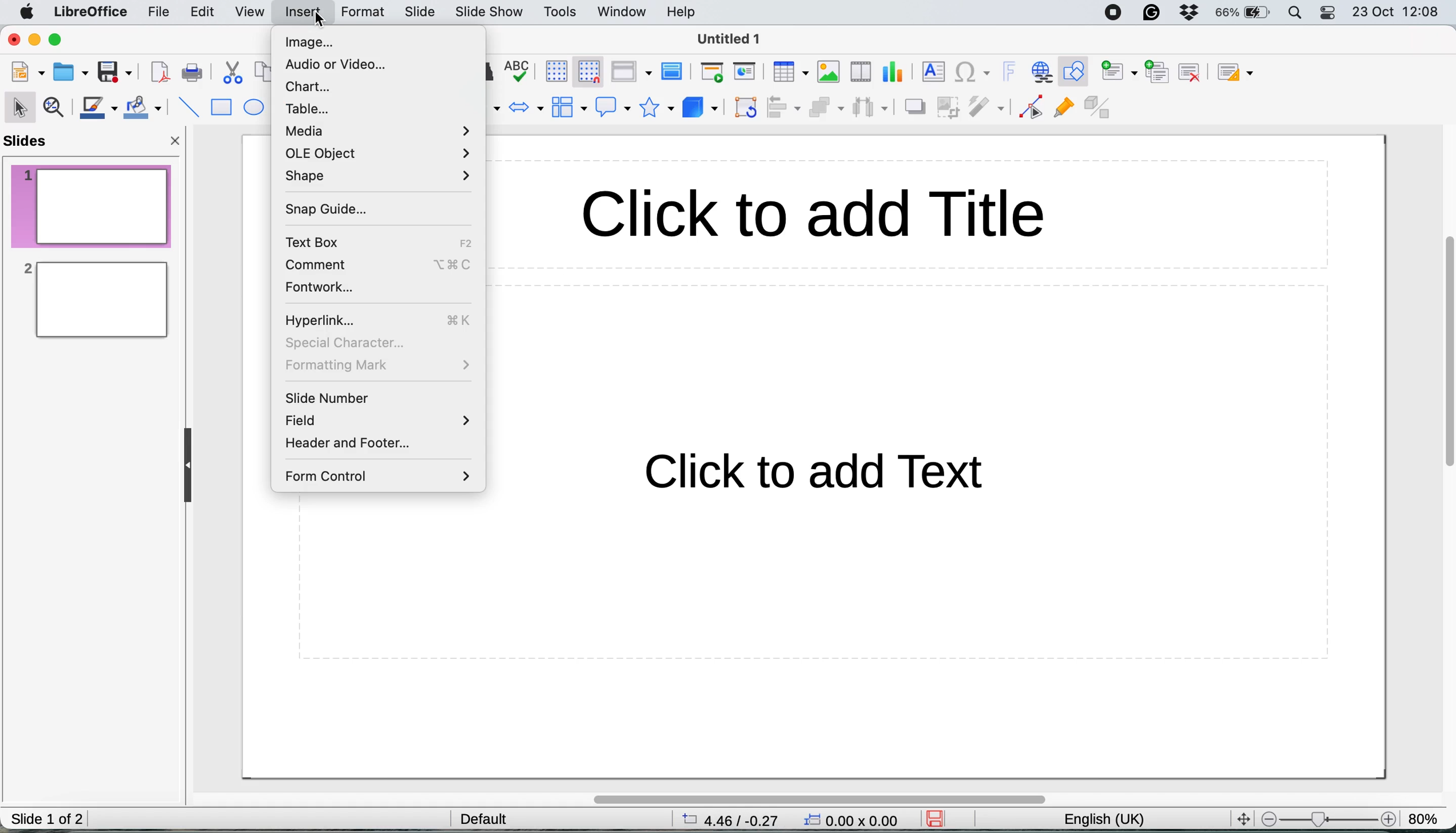 The image size is (1456, 833). Describe the element at coordinates (561, 13) in the screenshot. I see `tools` at that location.